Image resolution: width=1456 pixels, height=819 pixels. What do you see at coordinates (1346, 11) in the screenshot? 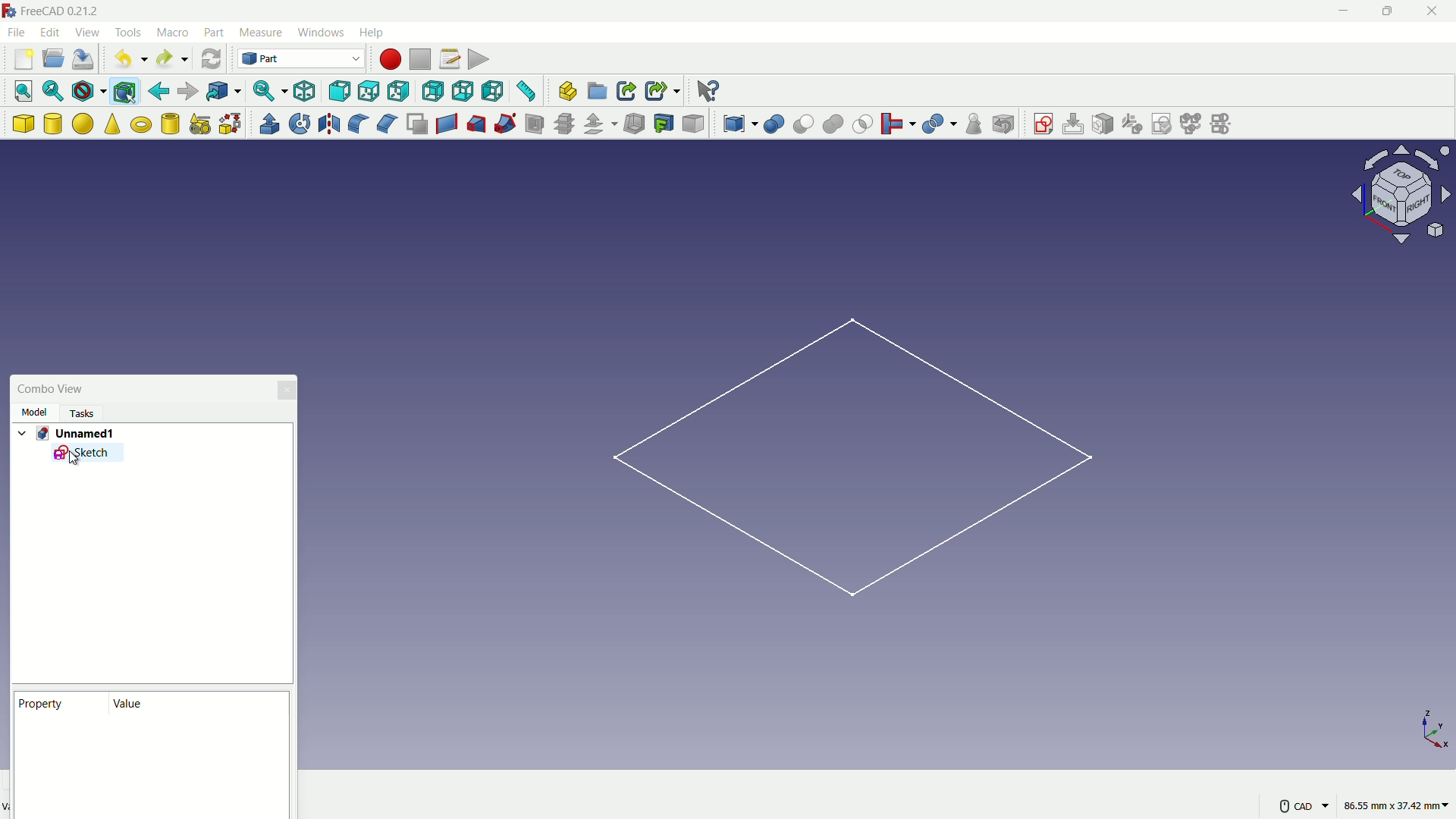
I see `minimize` at bounding box center [1346, 11].